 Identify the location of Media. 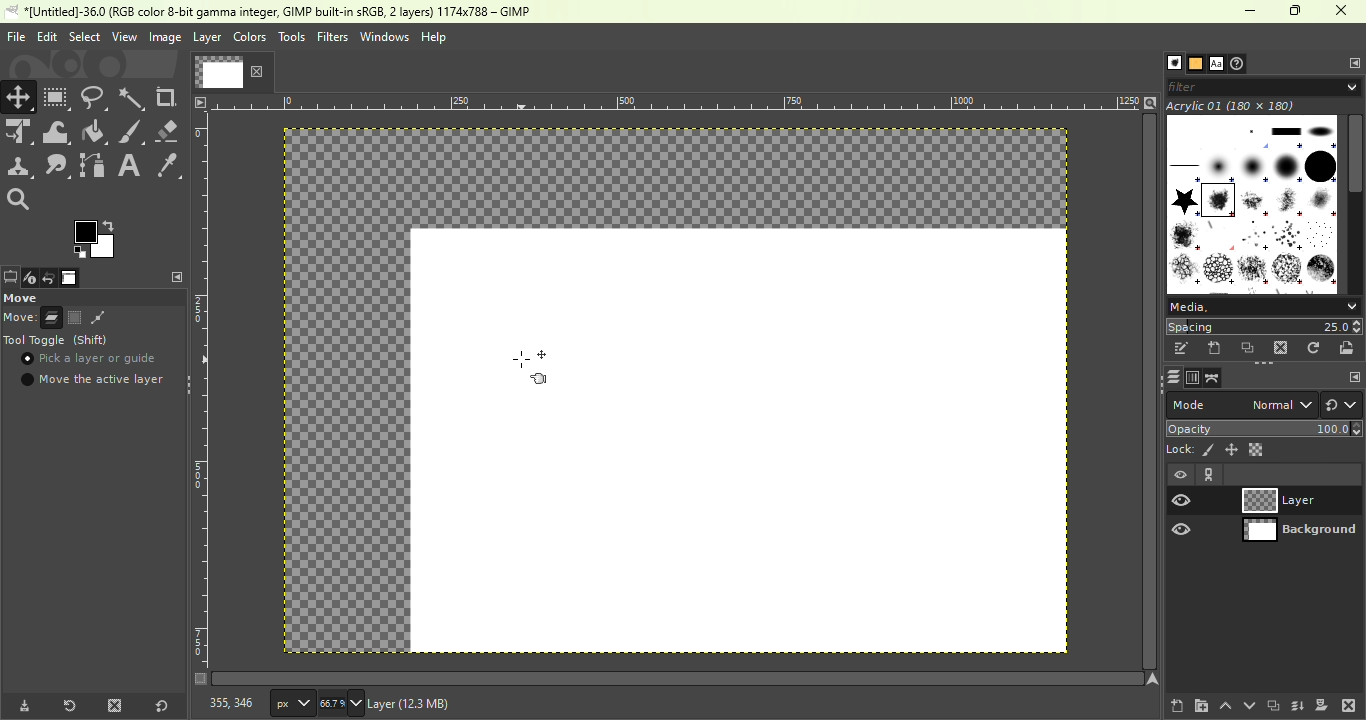
(1262, 305).